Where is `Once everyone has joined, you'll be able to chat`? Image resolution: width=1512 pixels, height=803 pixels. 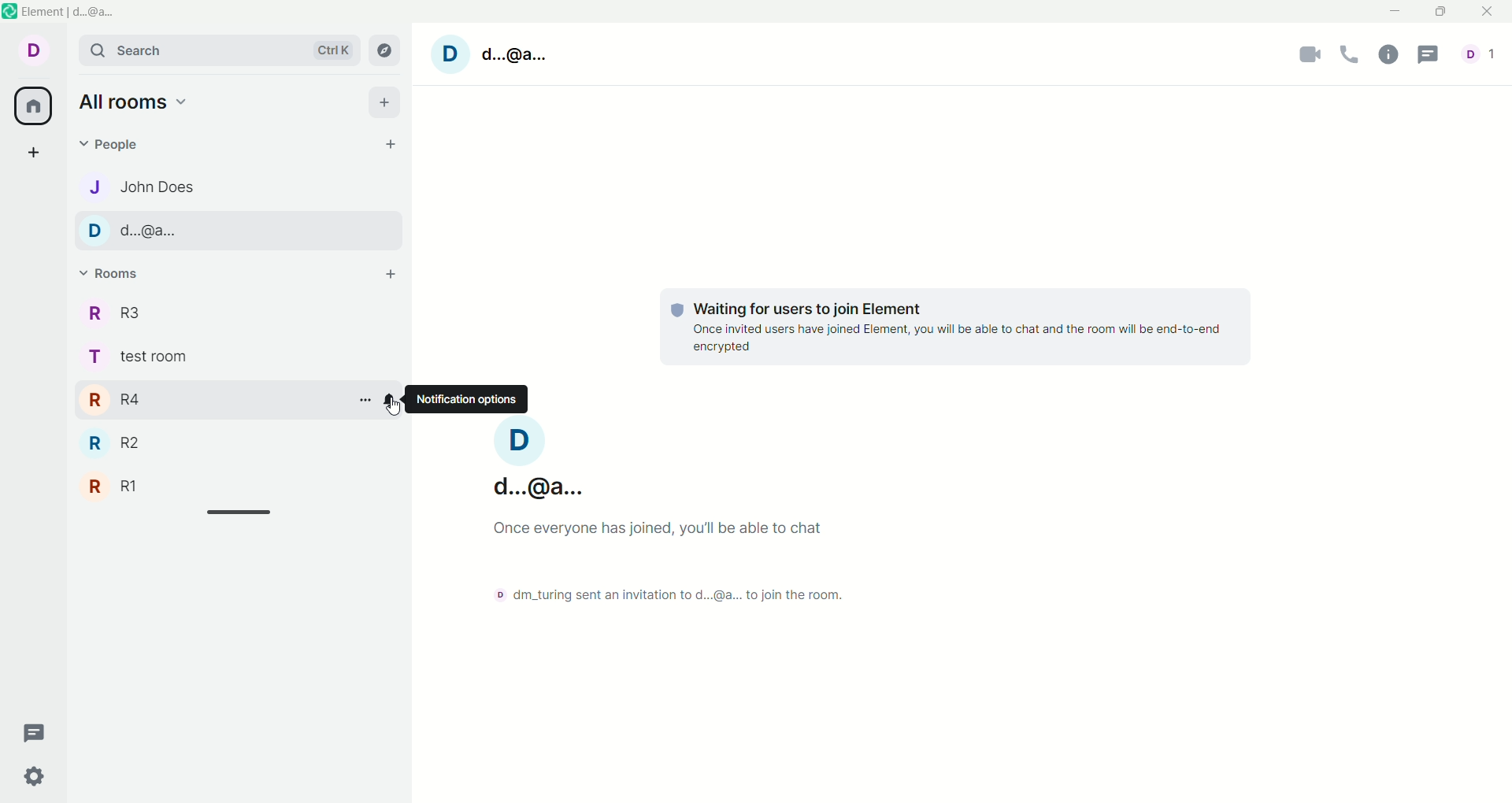
Once everyone has joined, you'll be able to chat is located at coordinates (656, 528).